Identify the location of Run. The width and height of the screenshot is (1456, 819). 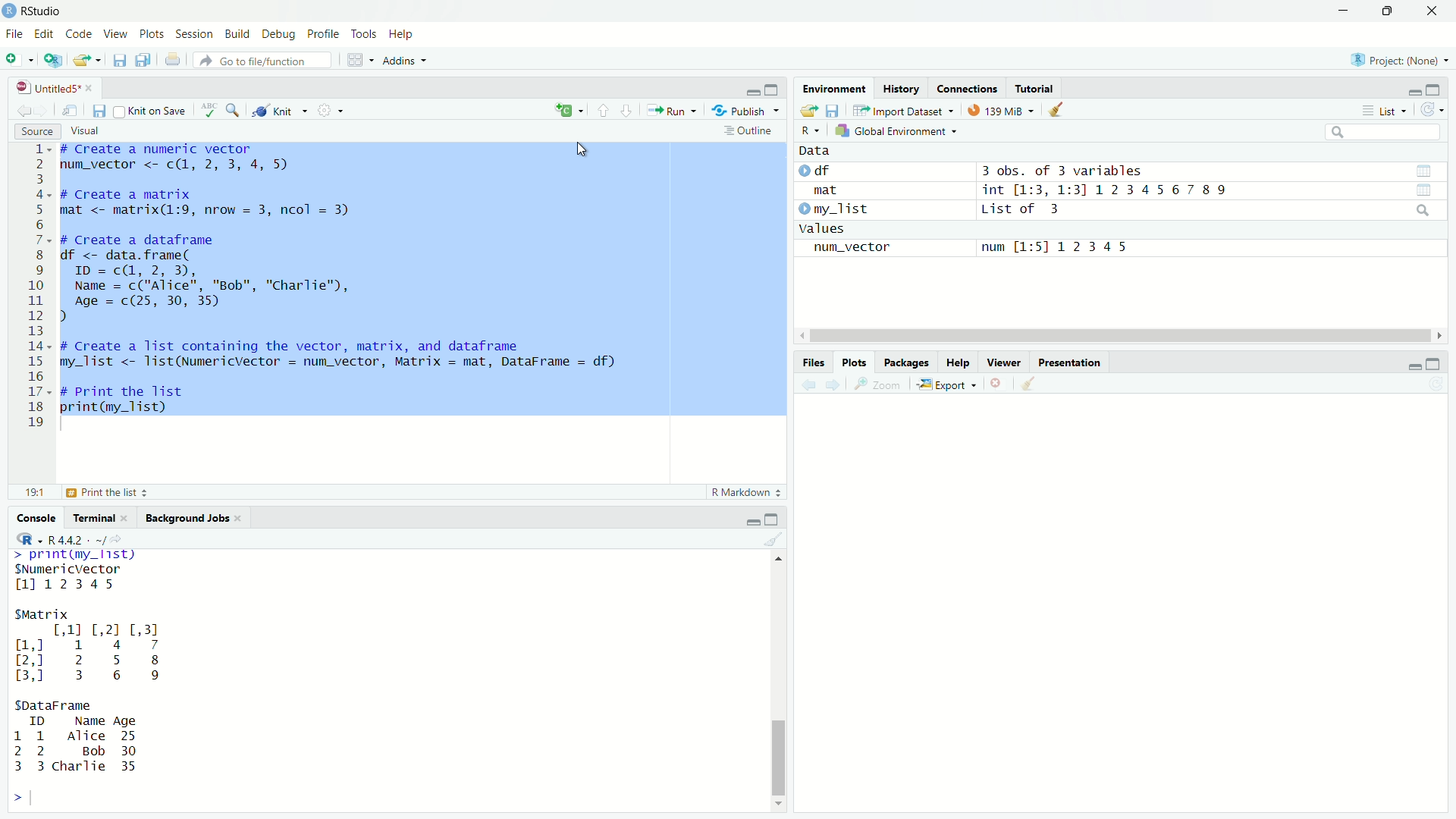
(673, 111).